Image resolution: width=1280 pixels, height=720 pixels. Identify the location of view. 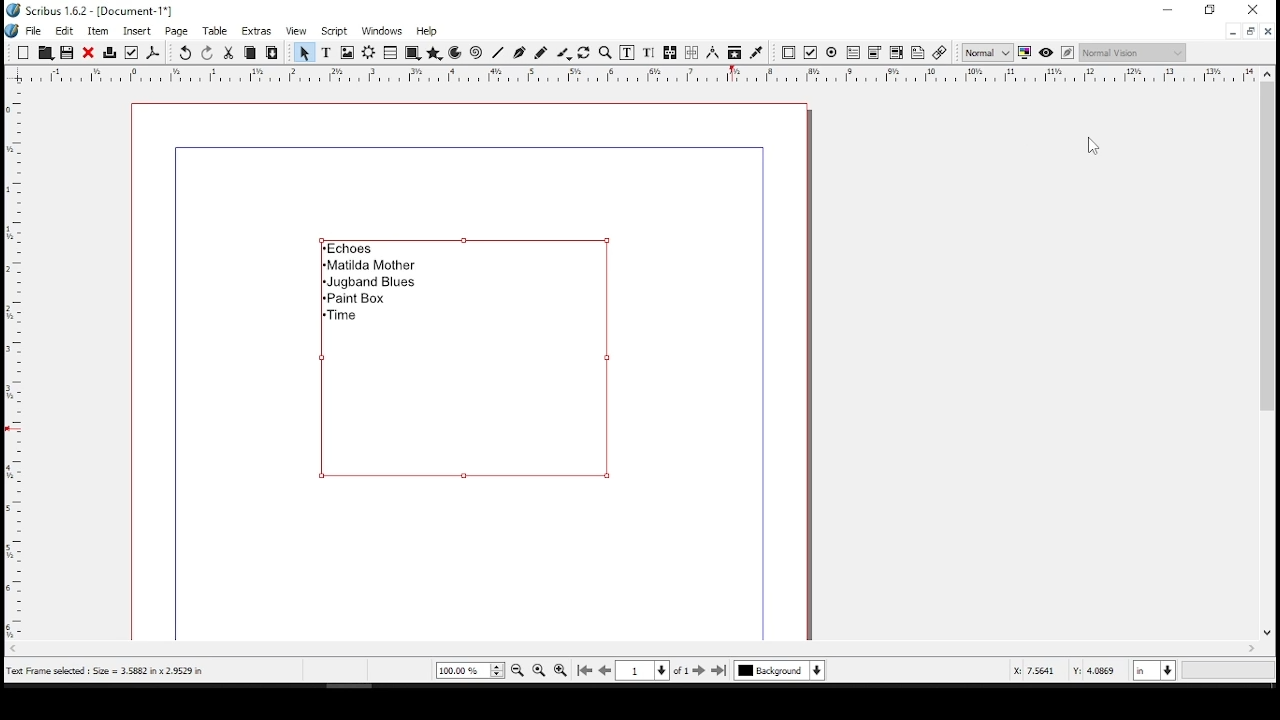
(296, 32).